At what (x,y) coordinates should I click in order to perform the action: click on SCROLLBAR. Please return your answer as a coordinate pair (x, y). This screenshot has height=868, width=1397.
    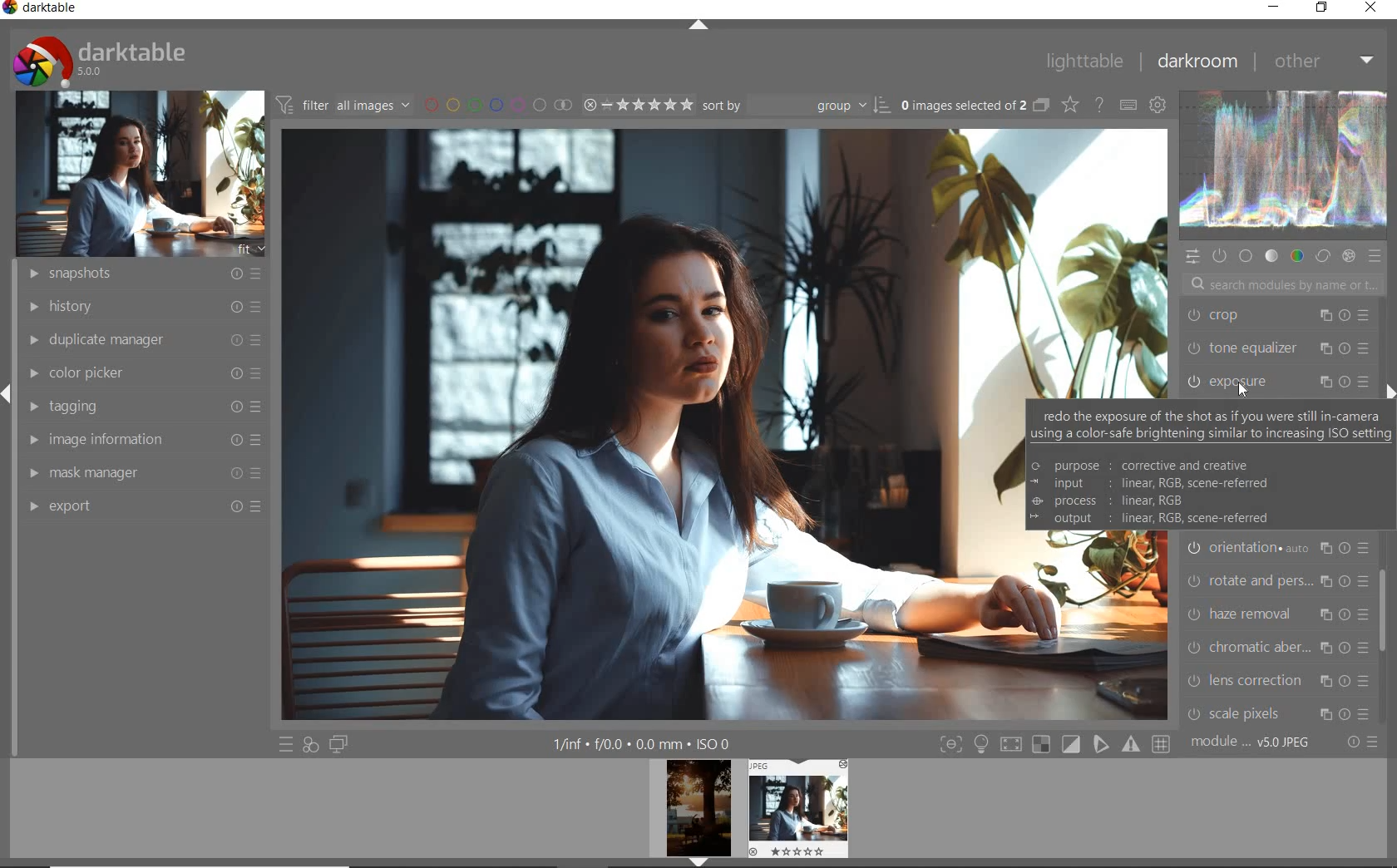
    Looking at the image, I should click on (1386, 608).